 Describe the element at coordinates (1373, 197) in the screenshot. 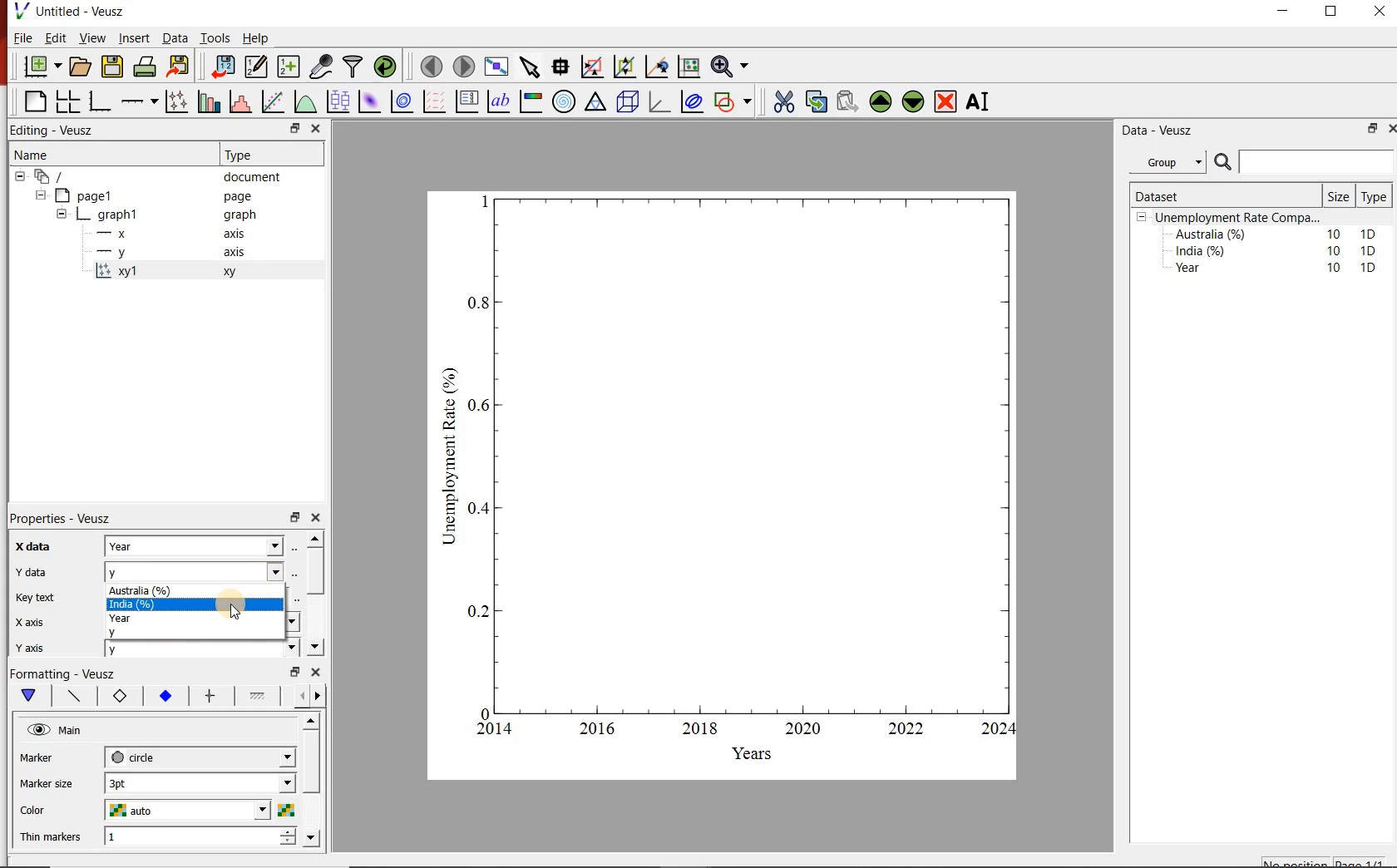

I see `Type` at that location.